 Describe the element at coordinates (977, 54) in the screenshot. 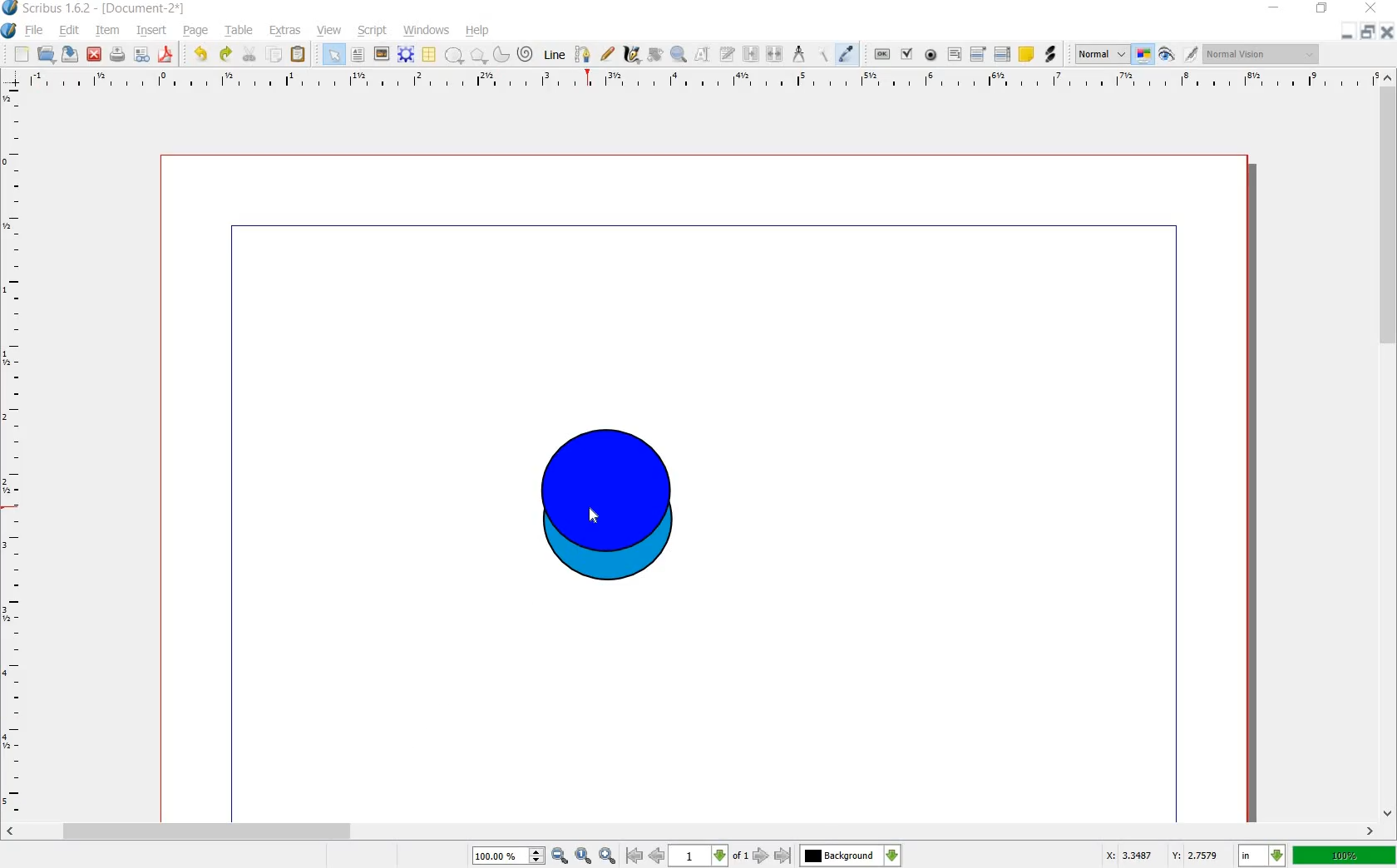

I see `pdf combo box` at that location.